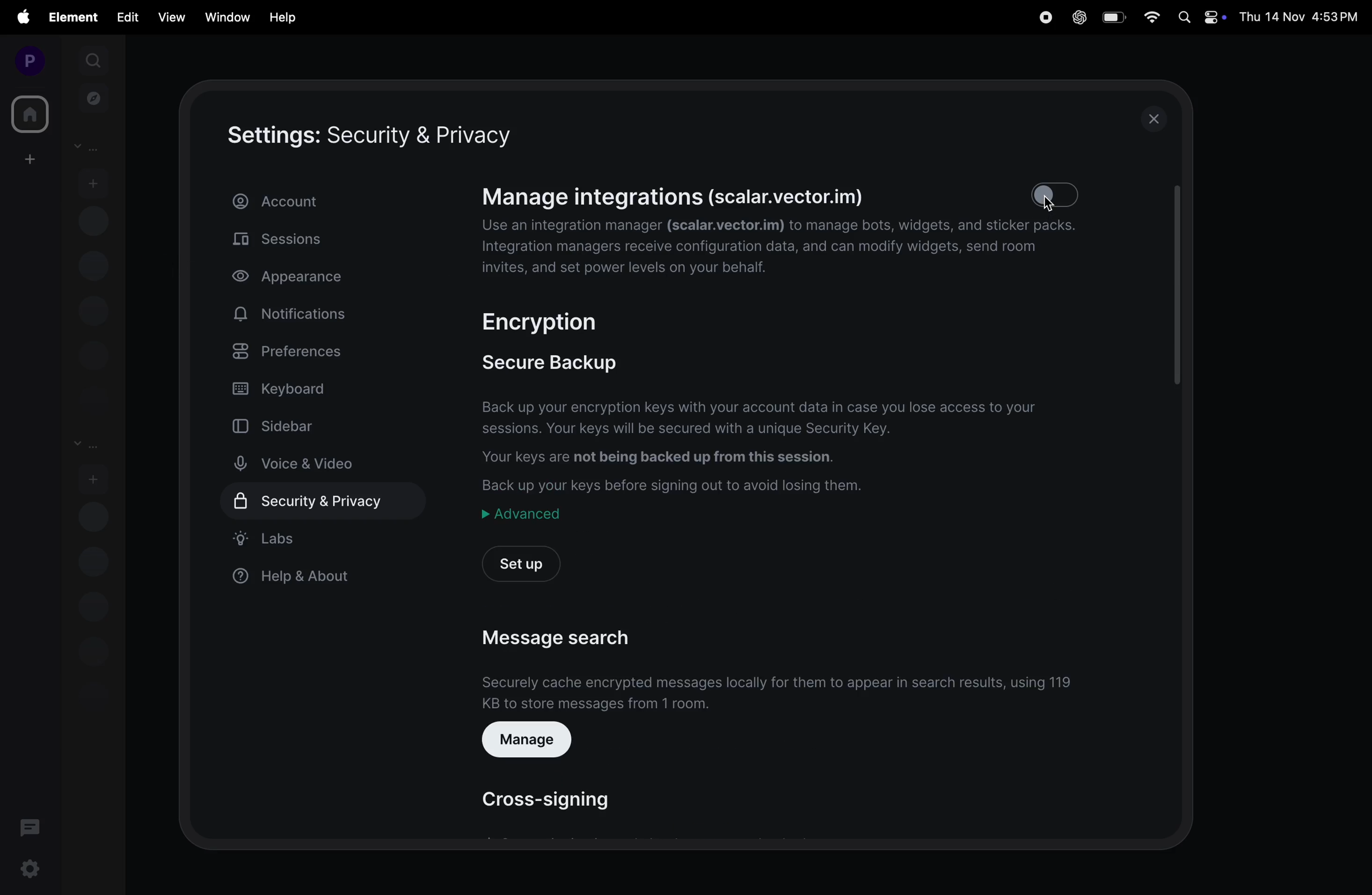 This screenshot has height=895, width=1372. What do you see at coordinates (96, 101) in the screenshot?
I see `explore rooms` at bounding box center [96, 101].